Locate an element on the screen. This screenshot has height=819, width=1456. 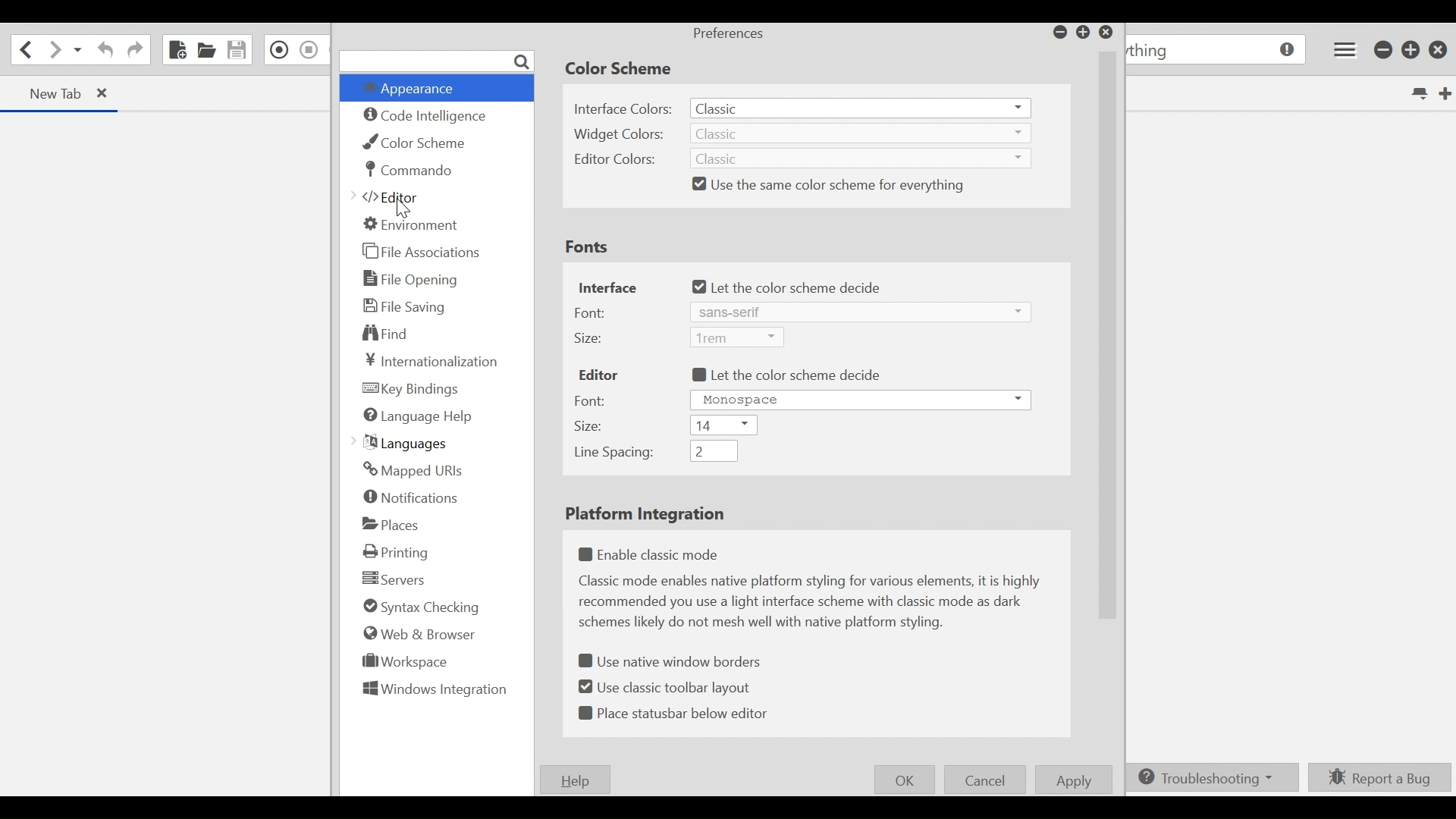
cursor is located at coordinates (401, 209).